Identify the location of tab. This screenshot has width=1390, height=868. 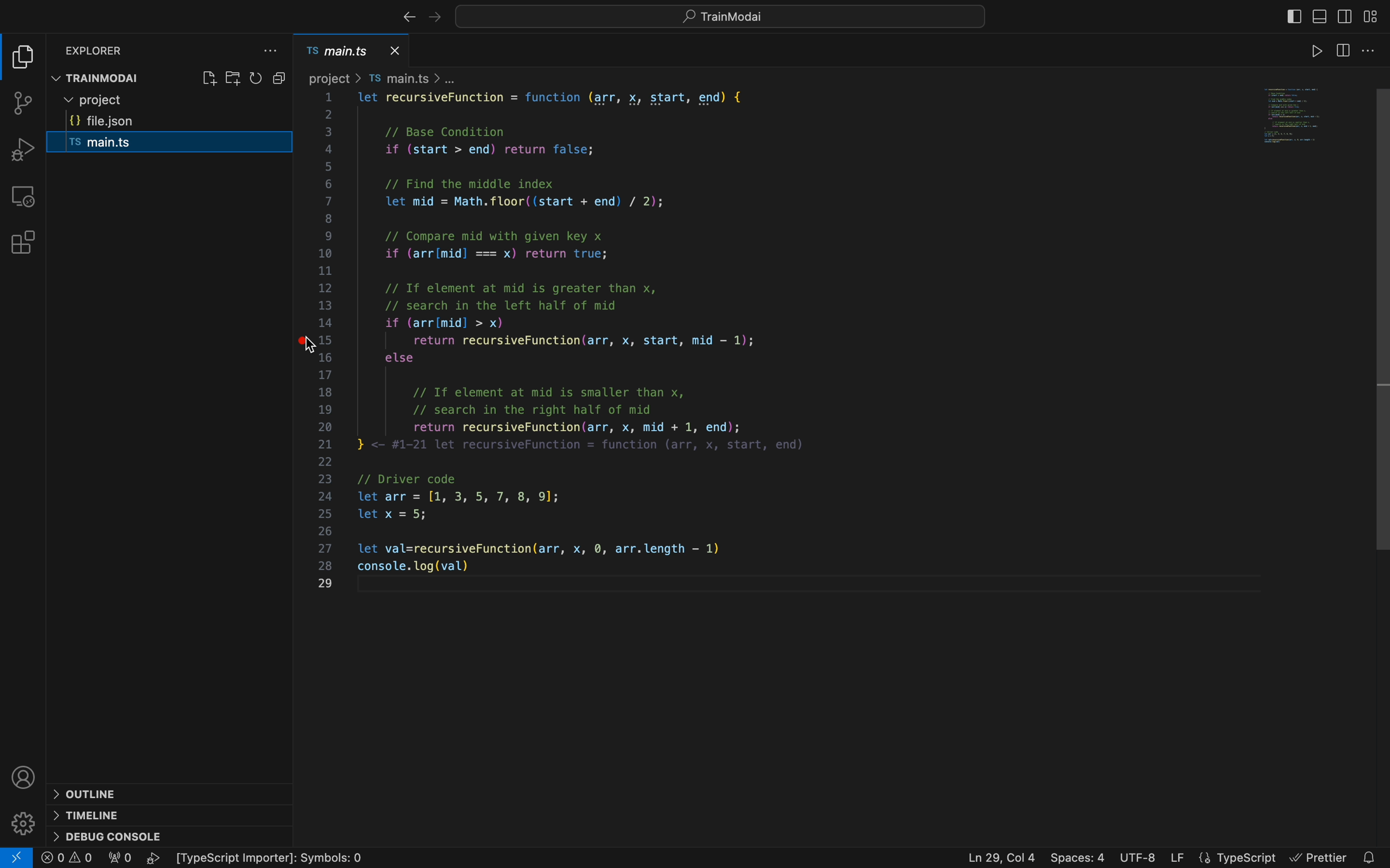
(354, 48).